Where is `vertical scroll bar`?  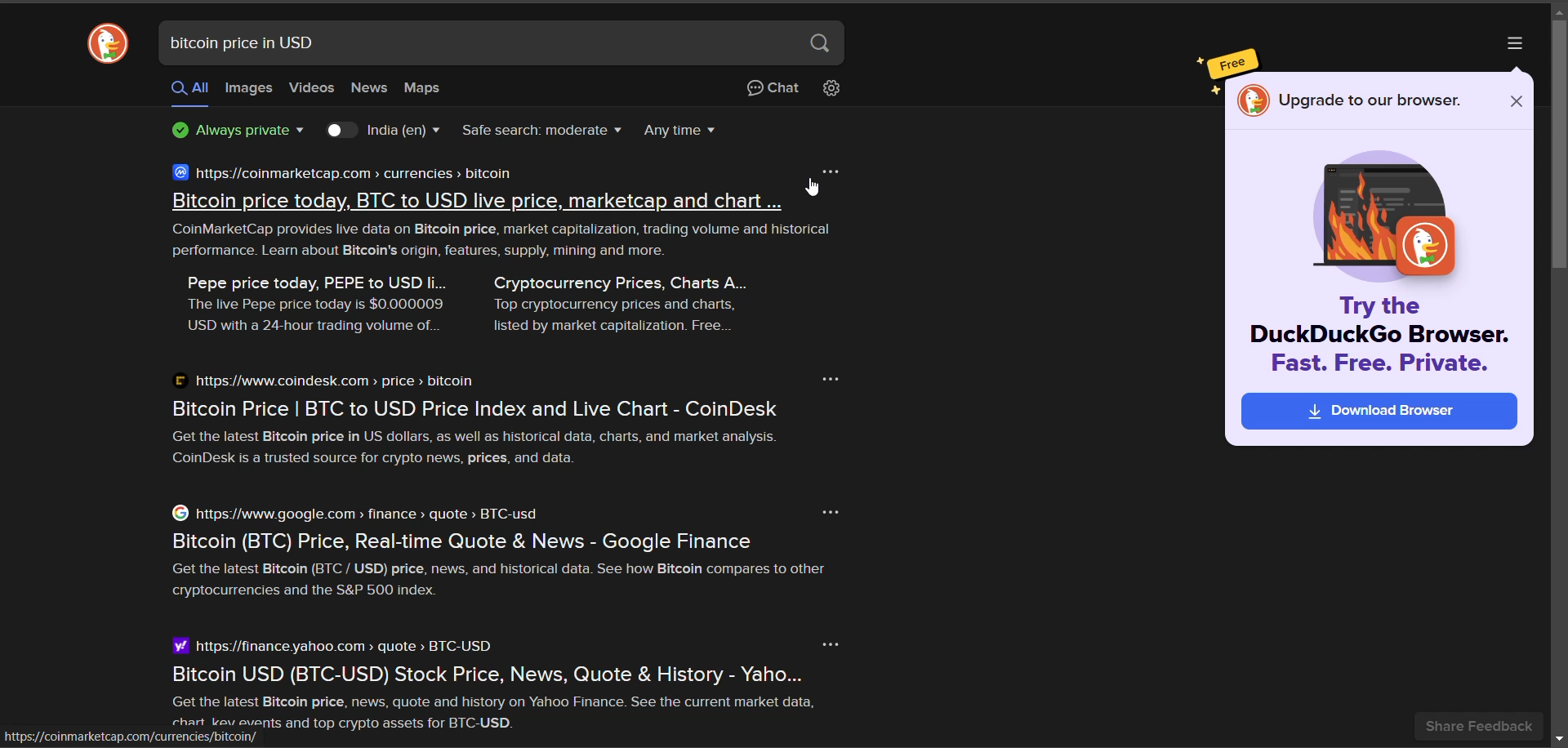 vertical scroll bar is located at coordinates (1558, 145).